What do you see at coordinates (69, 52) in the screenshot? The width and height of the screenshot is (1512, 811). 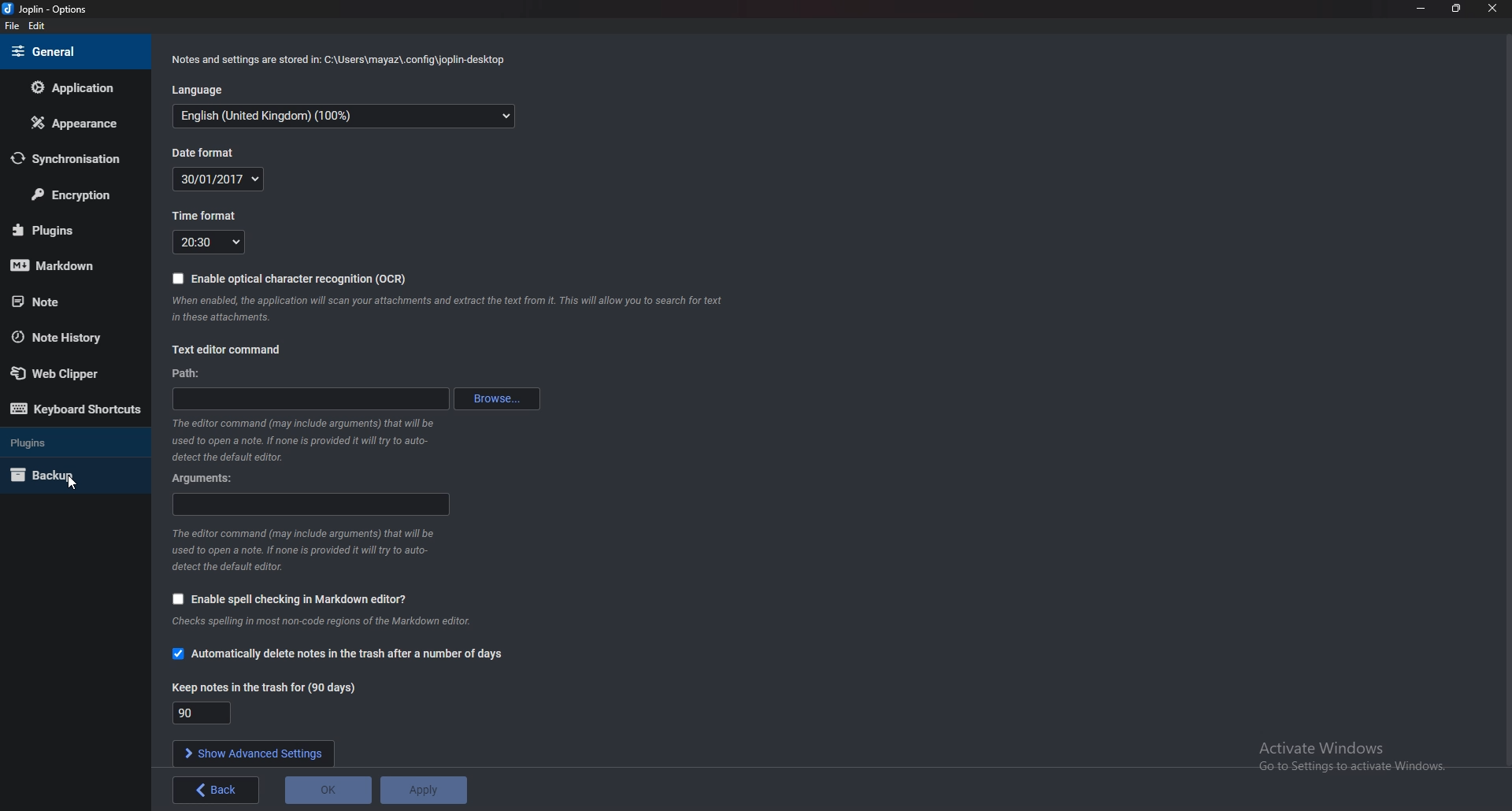 I see `General` at bounding box center [69, 52].